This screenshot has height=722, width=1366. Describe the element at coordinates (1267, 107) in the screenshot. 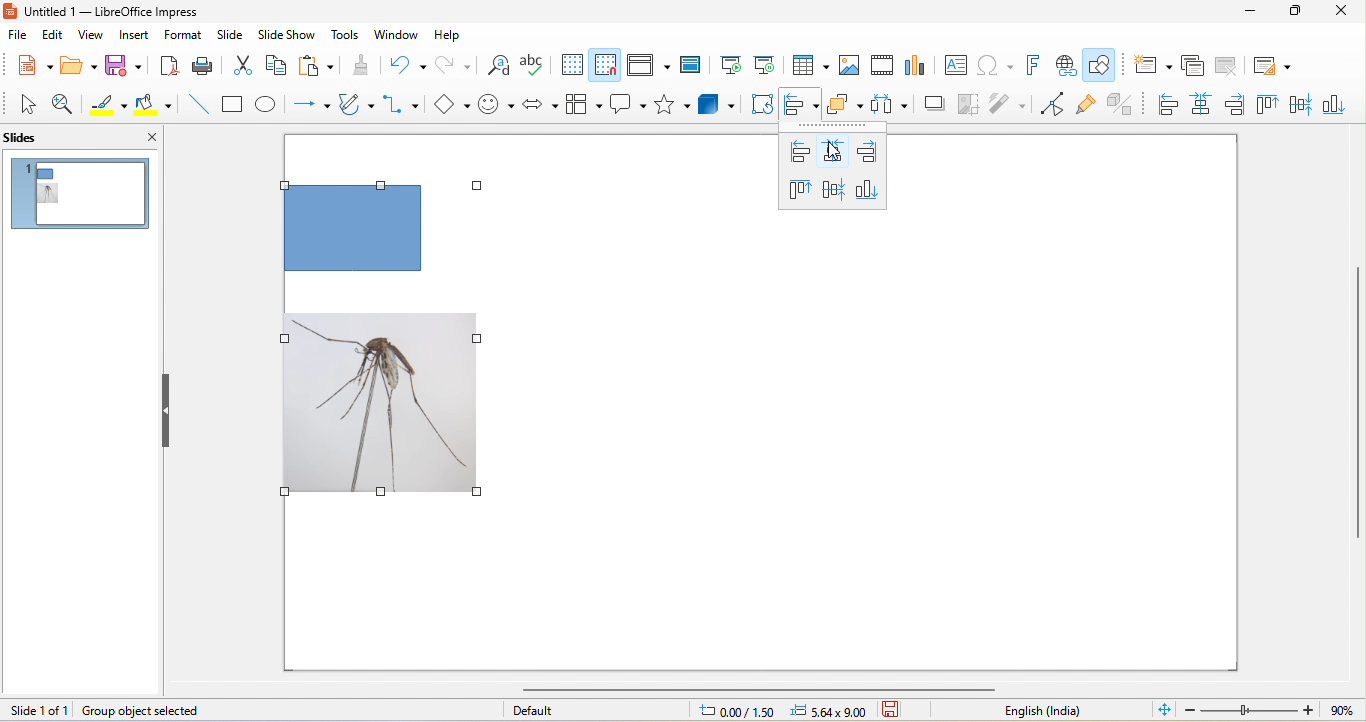

I see `top` at that location.